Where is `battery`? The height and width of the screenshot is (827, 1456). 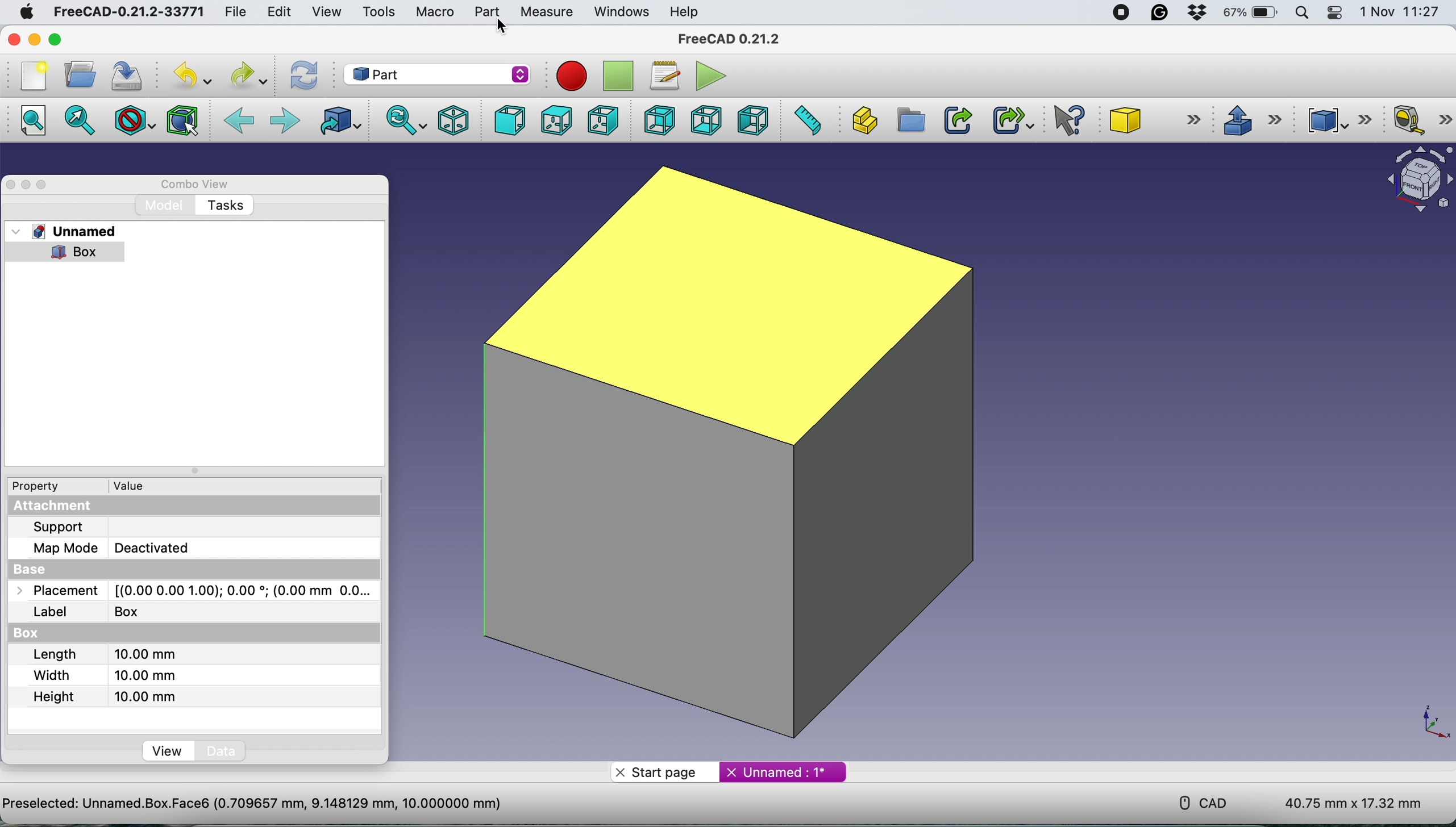
battery is located at coordinates (1251, 14).